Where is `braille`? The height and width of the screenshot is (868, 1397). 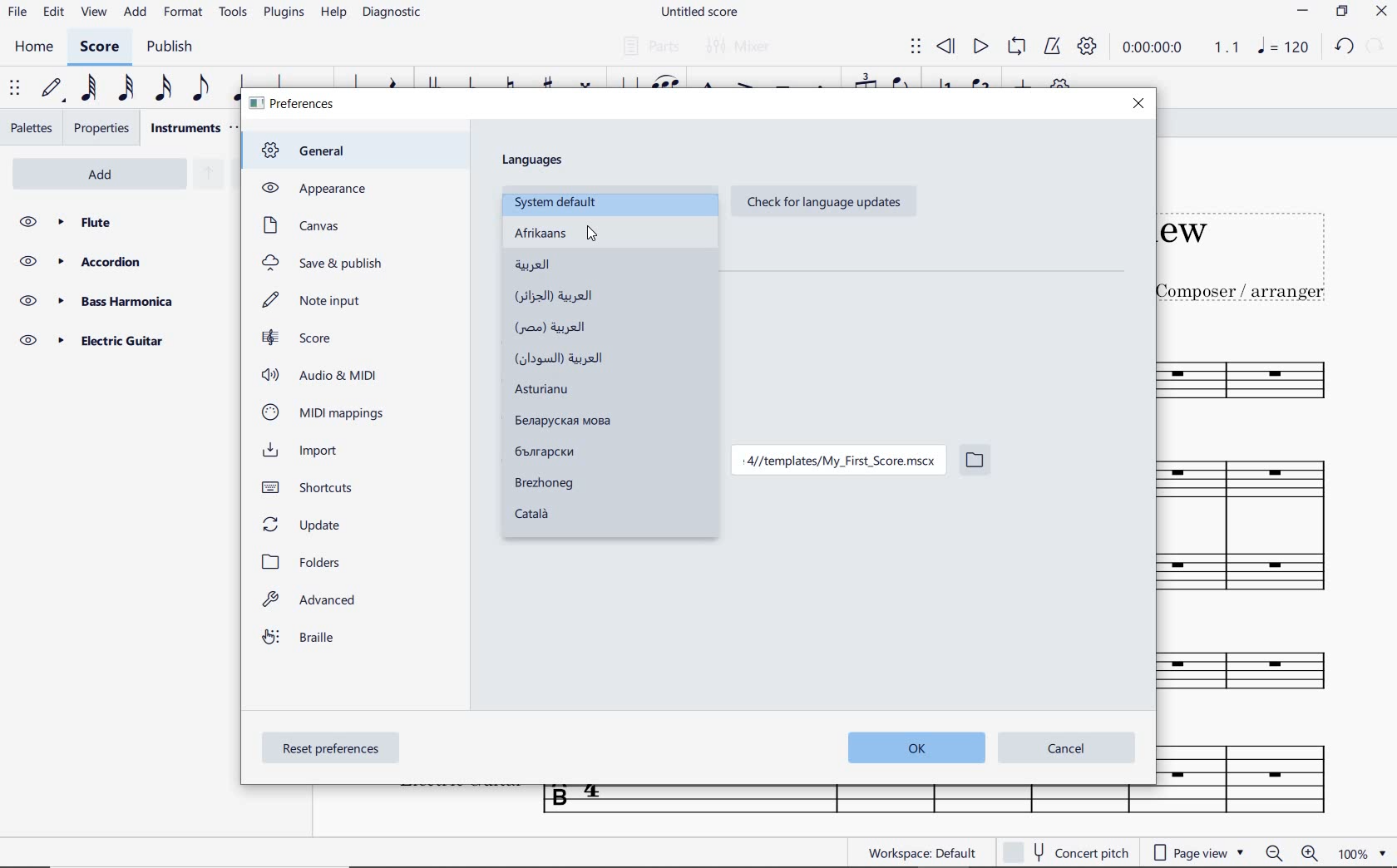
braille is located at coordinates (301, 640).